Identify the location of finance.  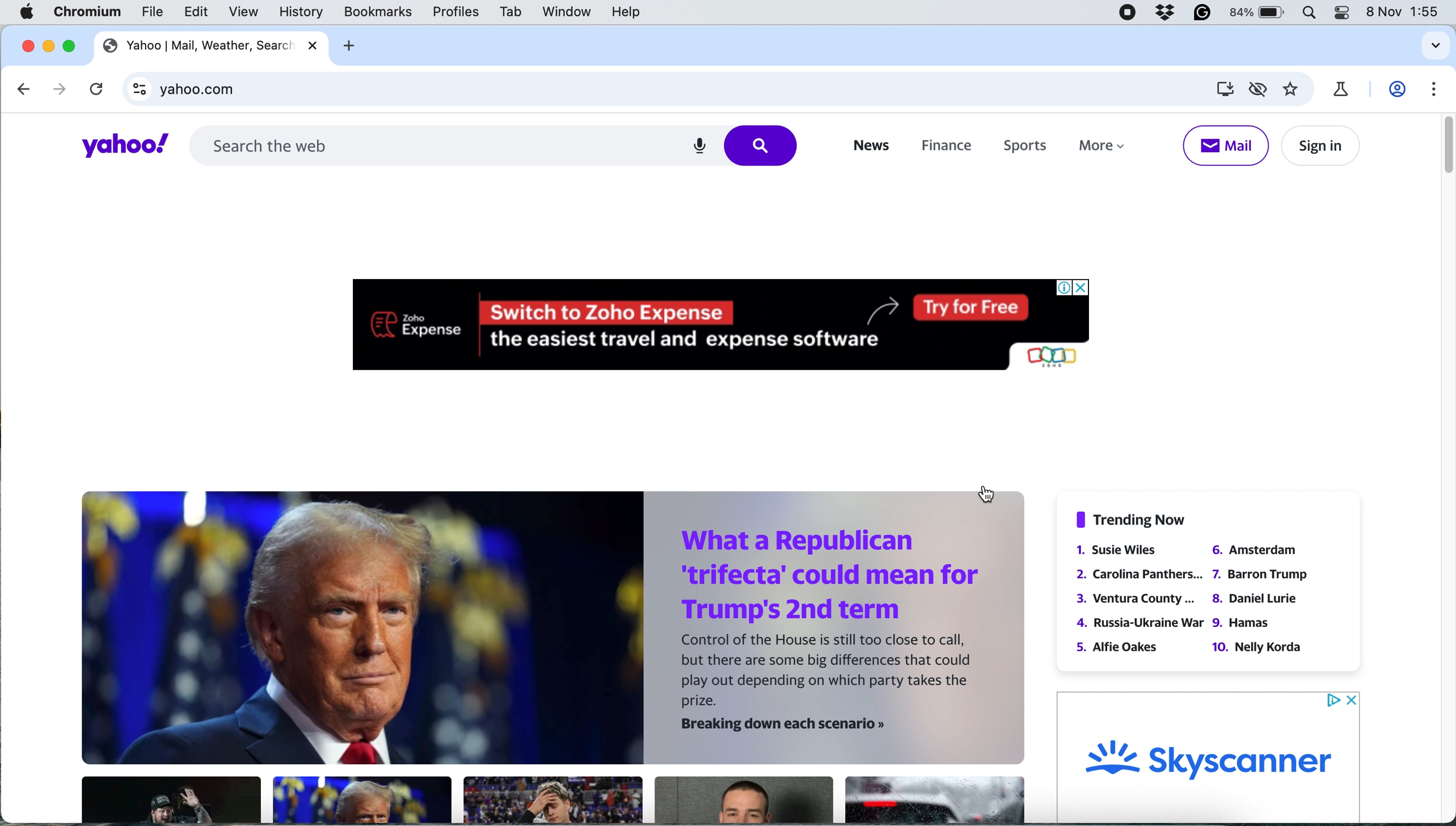
(947, 148).